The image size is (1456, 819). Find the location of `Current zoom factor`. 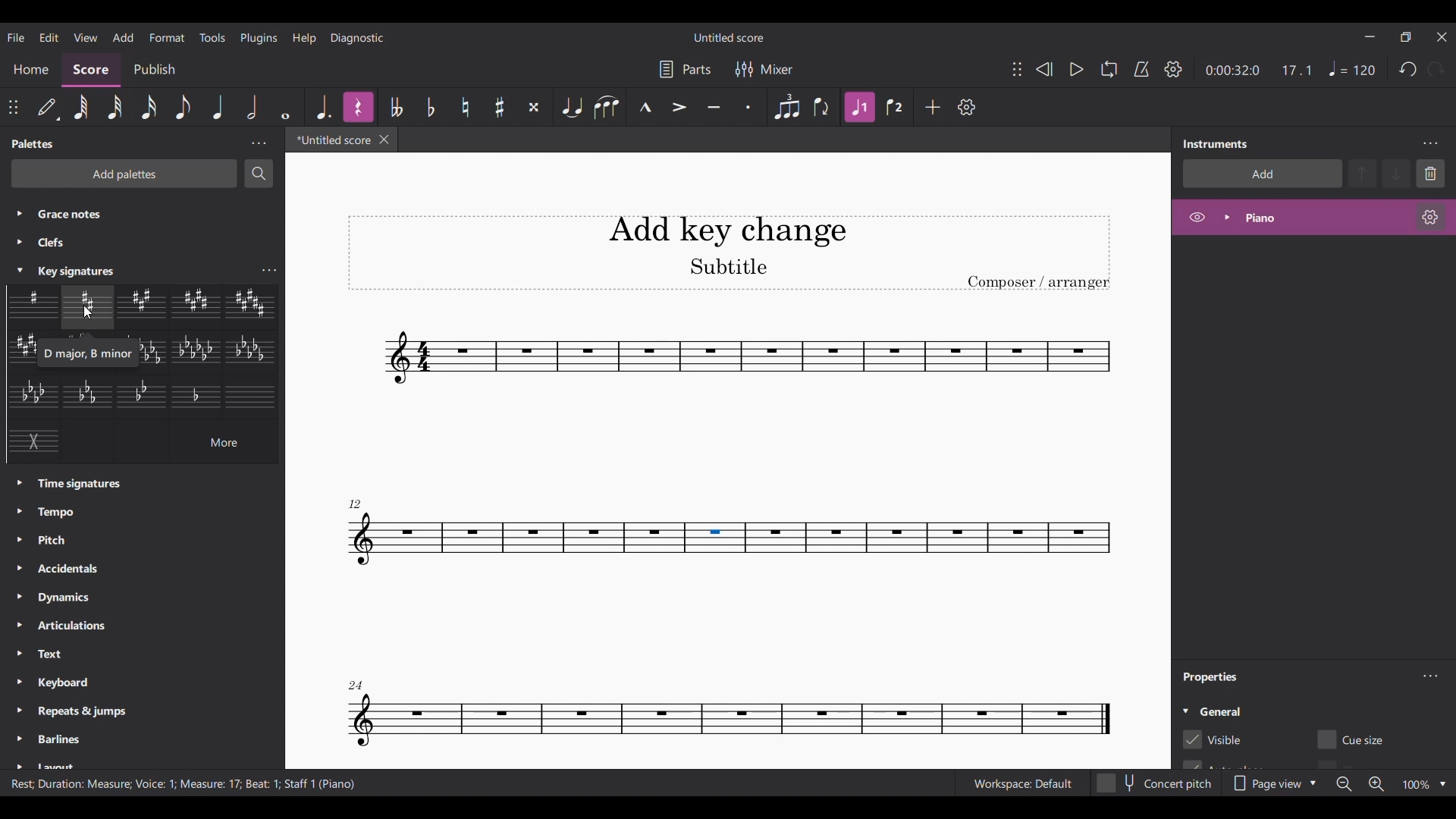

Current zoom factor is located at coordinates (1416, 785).